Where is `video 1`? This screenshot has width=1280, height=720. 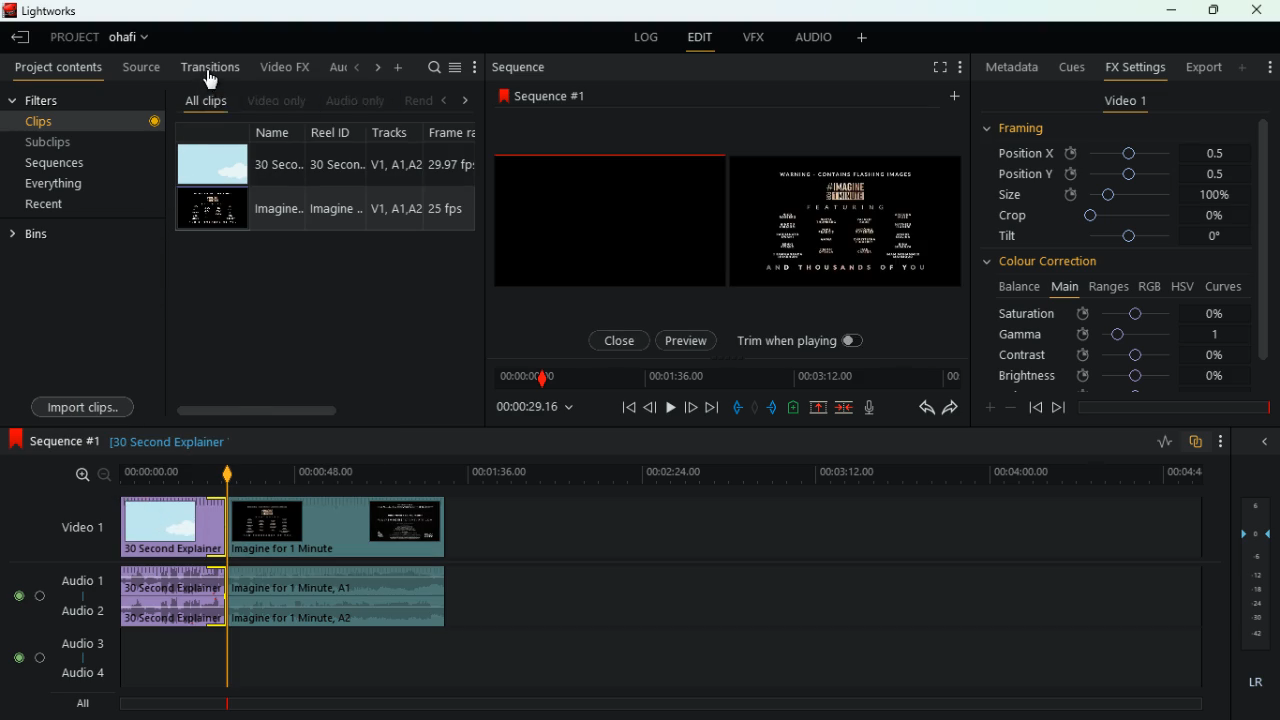
video 1 is located at coordinates (1125, 104).